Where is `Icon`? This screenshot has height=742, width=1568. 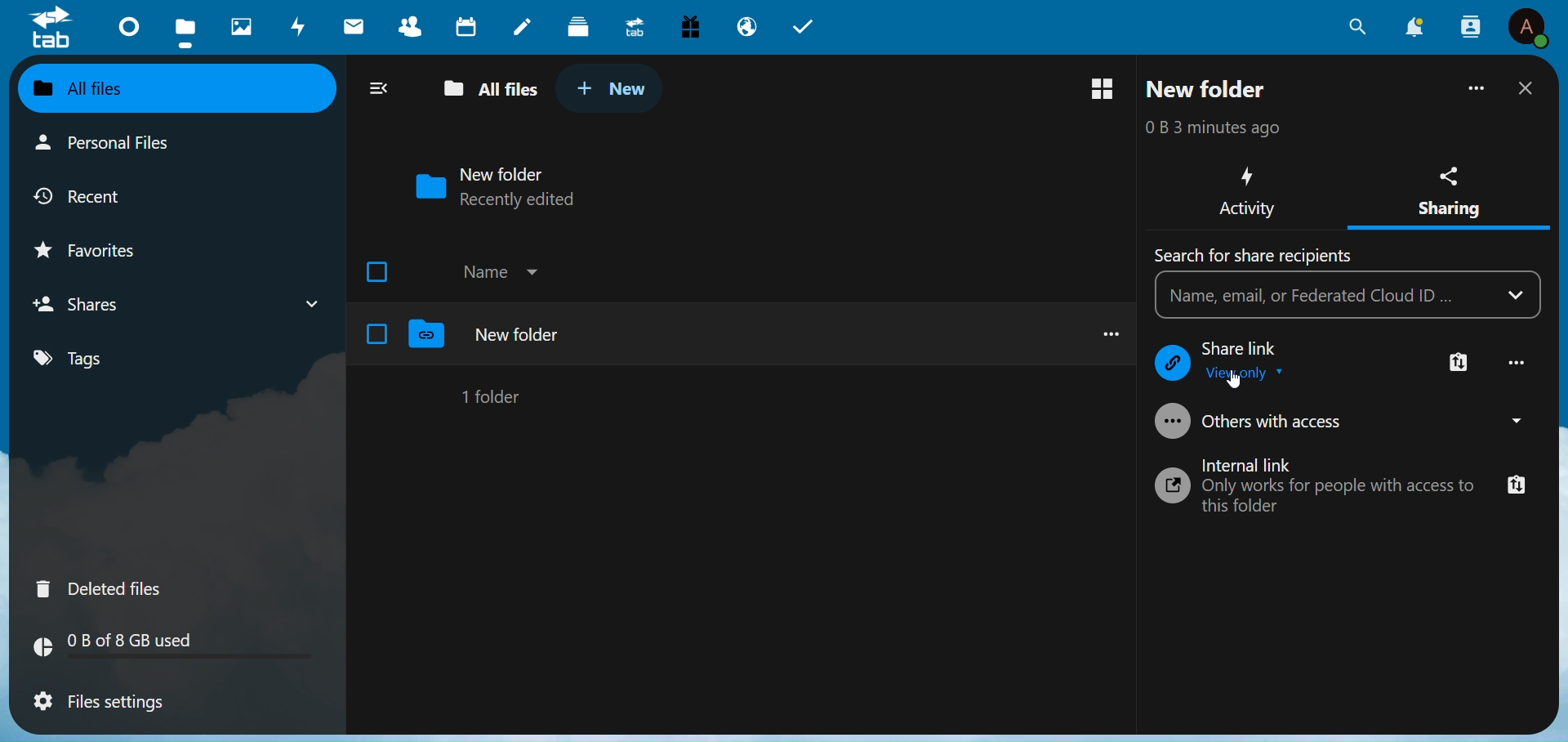
Icon is located at coordinates (1174, 488).